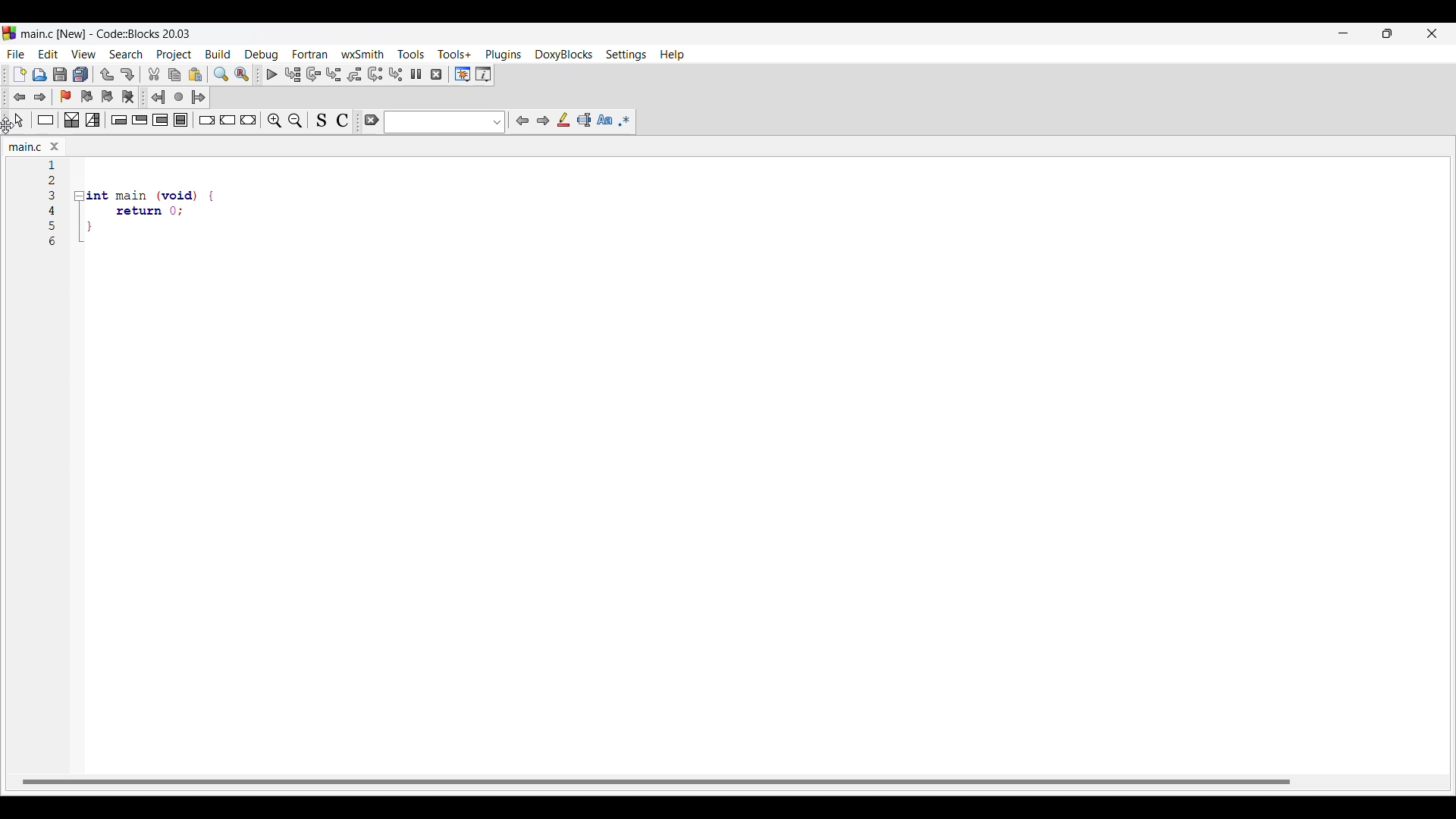  What do you see at coordinates (626, 55) in the screenshot?
I see `Settings menu` at bounding box center [626, 55].